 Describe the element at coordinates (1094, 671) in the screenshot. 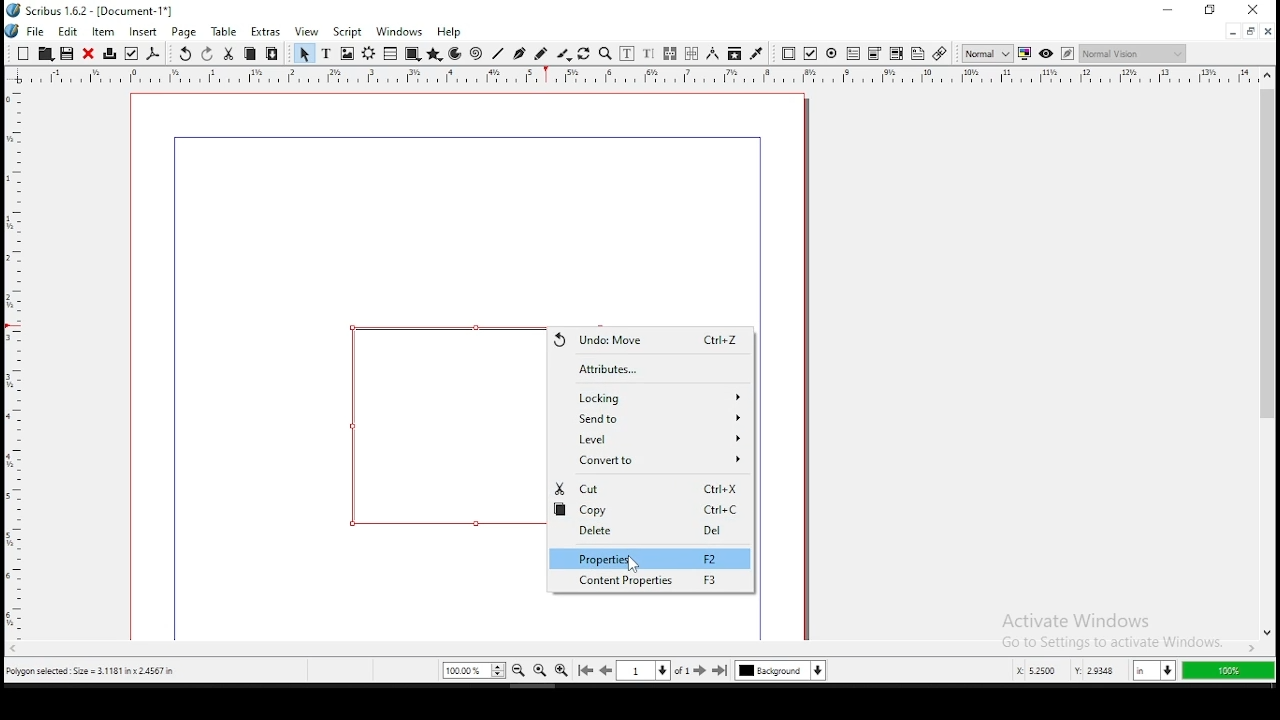

I see `y: 2.9584` at that location.